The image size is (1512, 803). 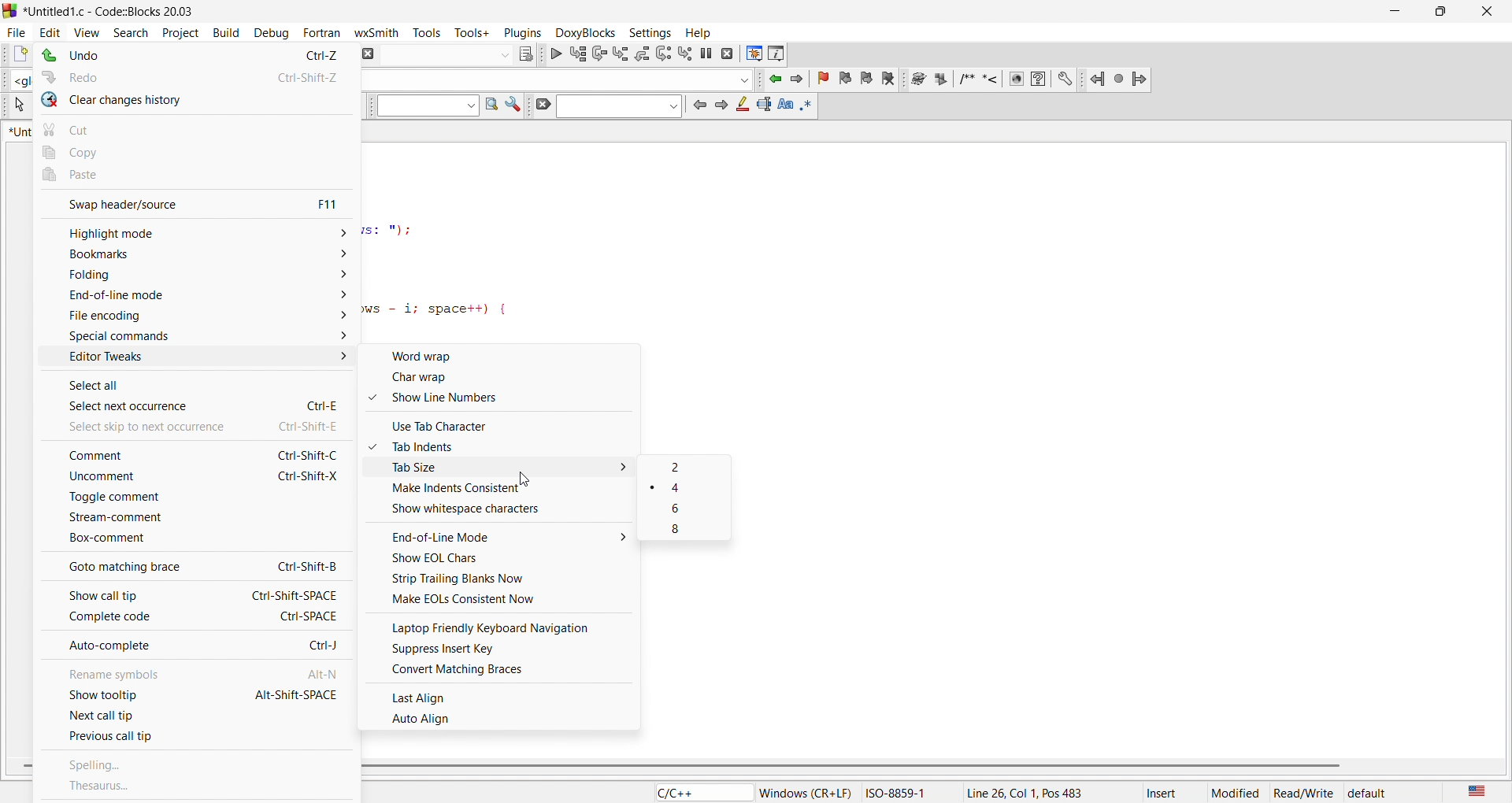 What do you see at coordinates (107, 479) in the screenshot?
I see `uncomment ` at bounding box center [107, 479].